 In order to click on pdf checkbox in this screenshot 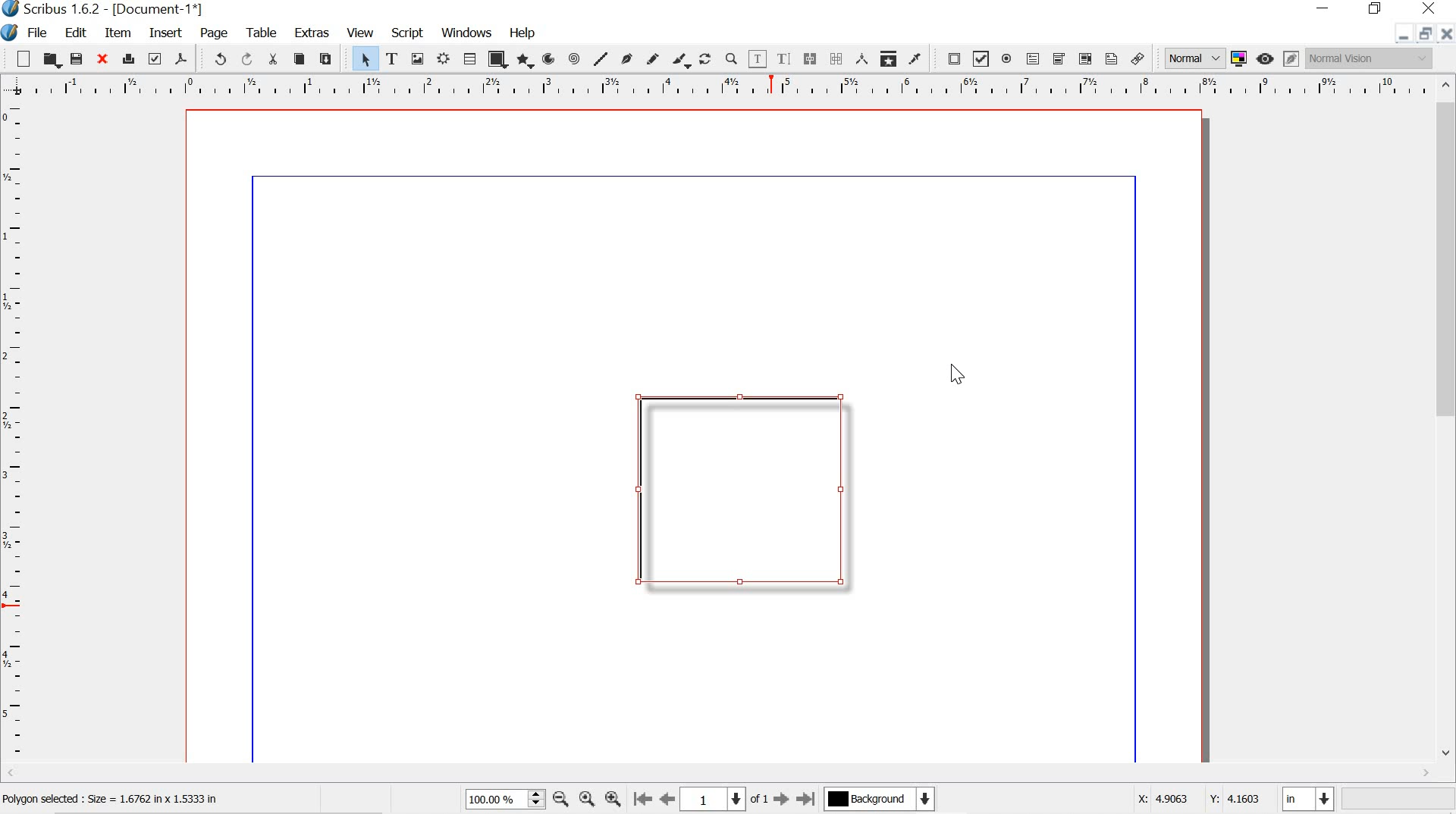, I will do `click(981, 58)`.